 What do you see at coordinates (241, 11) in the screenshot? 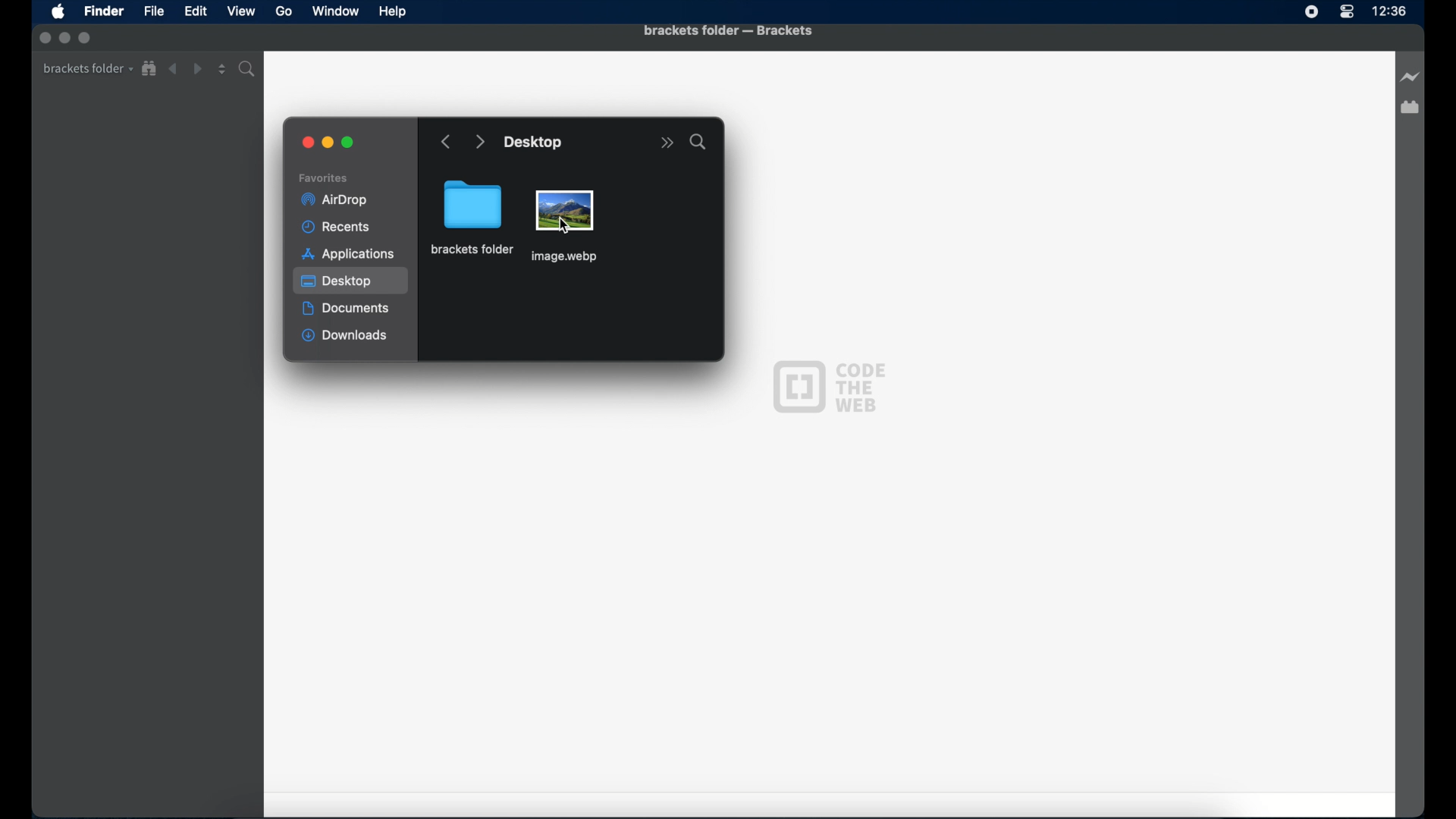
I see `View` at bounding box center [241, 11].